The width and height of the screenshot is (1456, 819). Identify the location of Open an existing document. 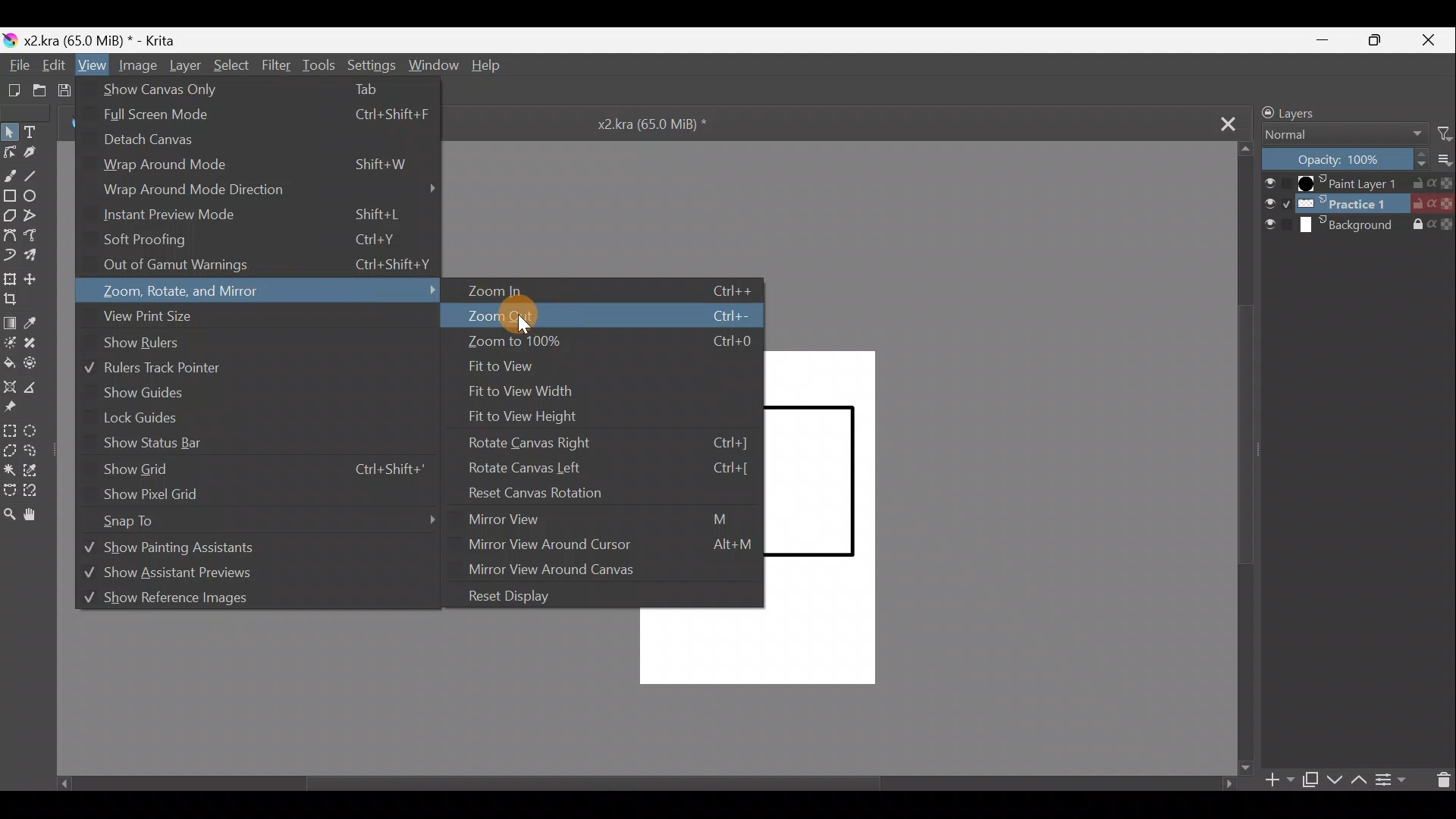
(39, 89).